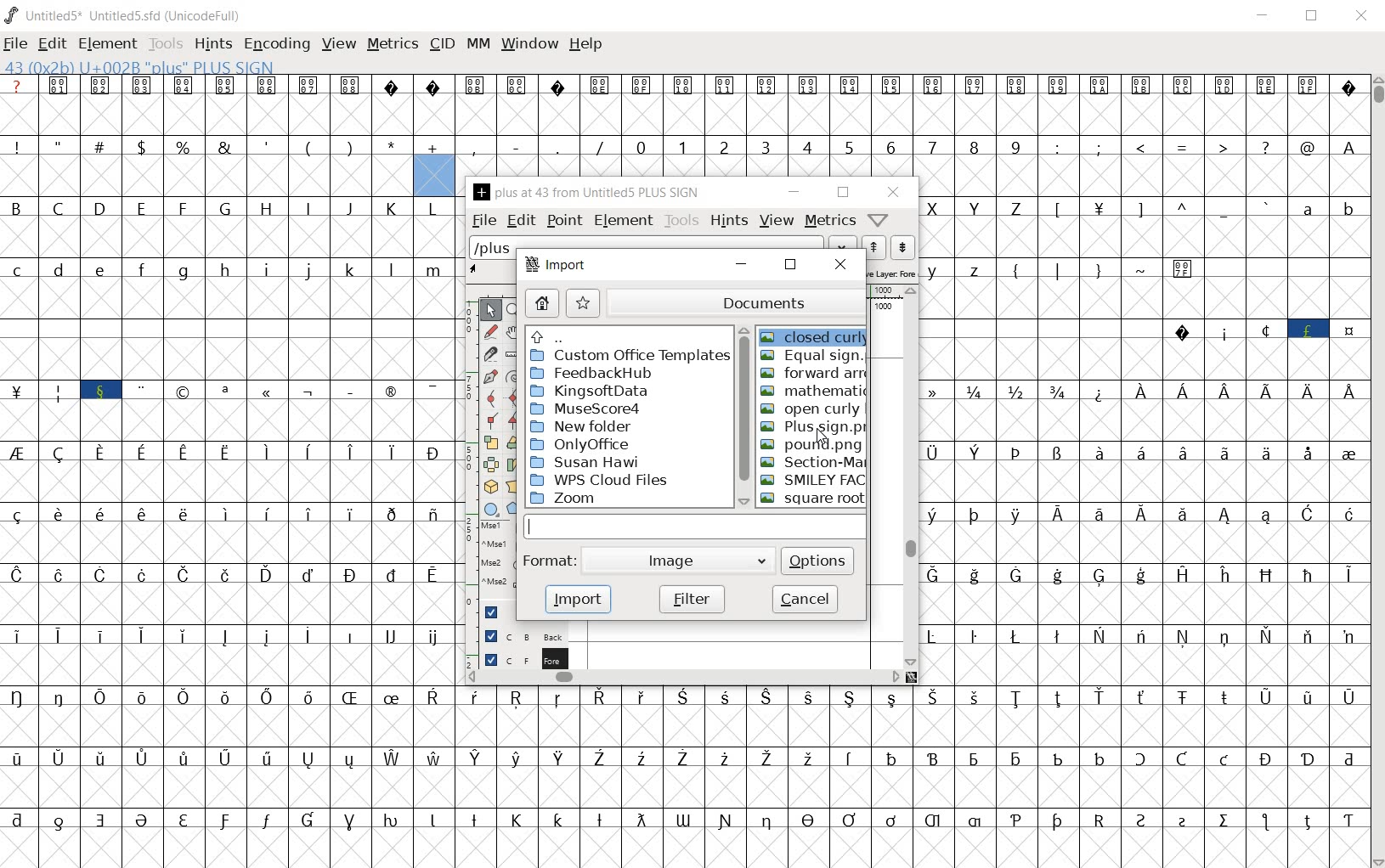 The height and width of the screenshot is (868, 1385). I want to click on UP directories, so click(625, 336).